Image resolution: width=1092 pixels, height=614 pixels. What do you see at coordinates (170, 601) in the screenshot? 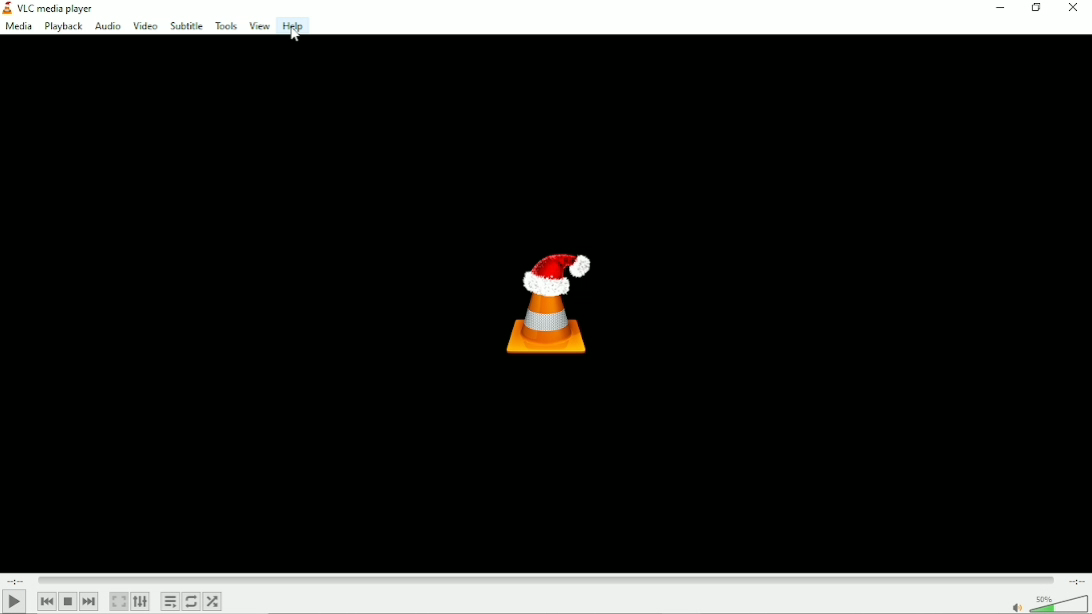
I see `Toggle playlist` at bounding box center [170, 601].